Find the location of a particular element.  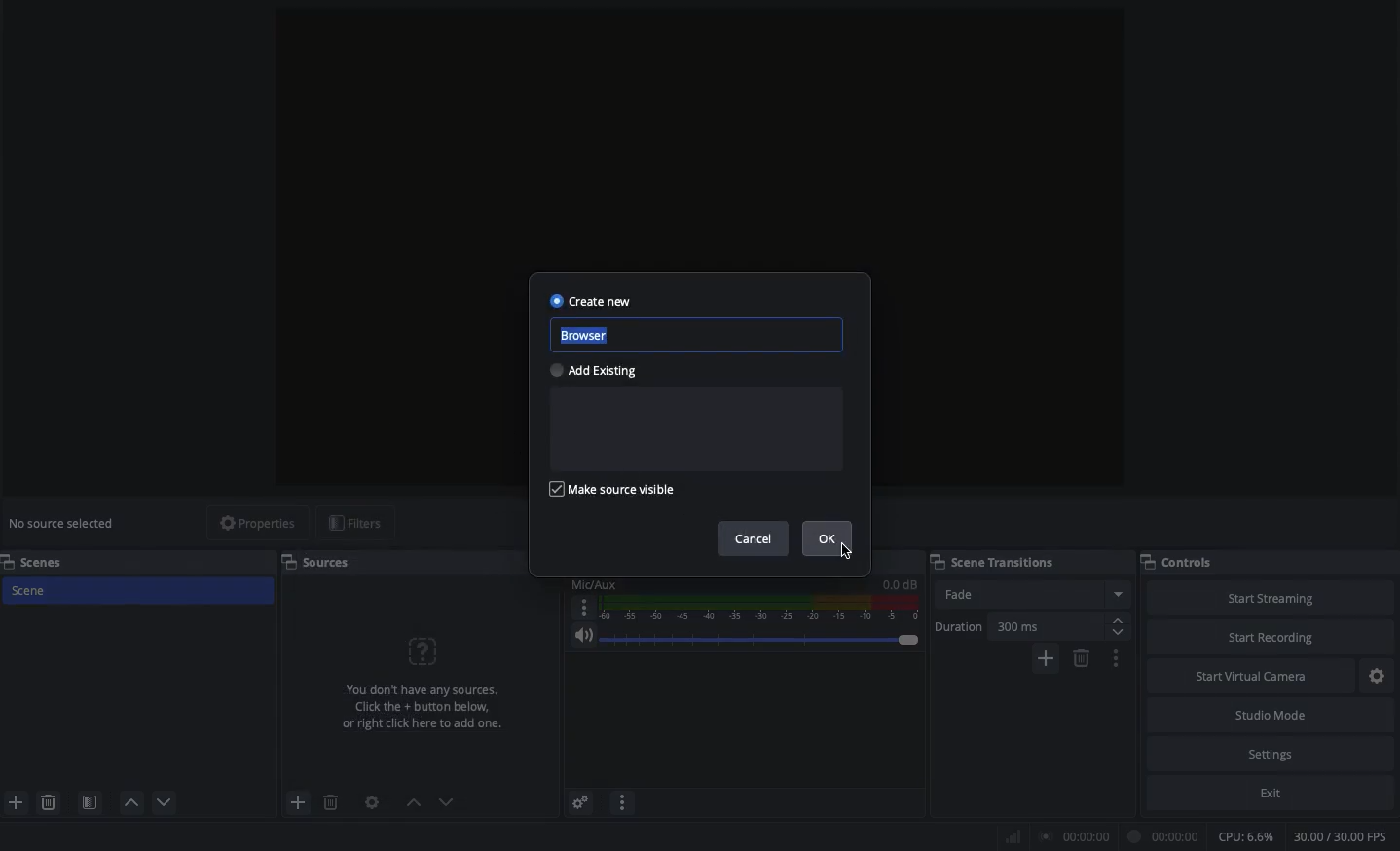

Properties is located at coordinates (249, 524).